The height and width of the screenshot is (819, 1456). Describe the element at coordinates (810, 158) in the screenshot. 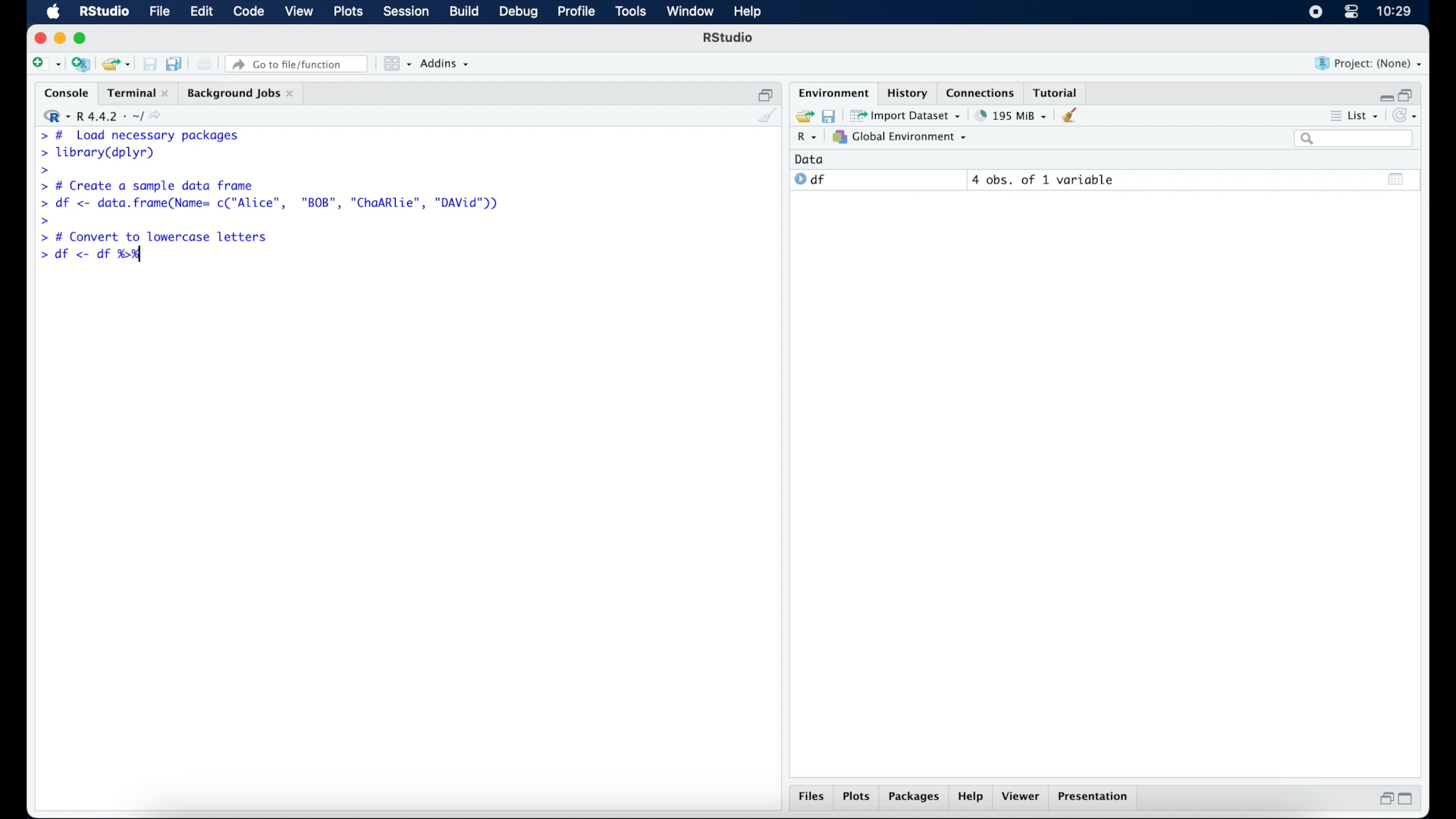

I see `date` at that location.